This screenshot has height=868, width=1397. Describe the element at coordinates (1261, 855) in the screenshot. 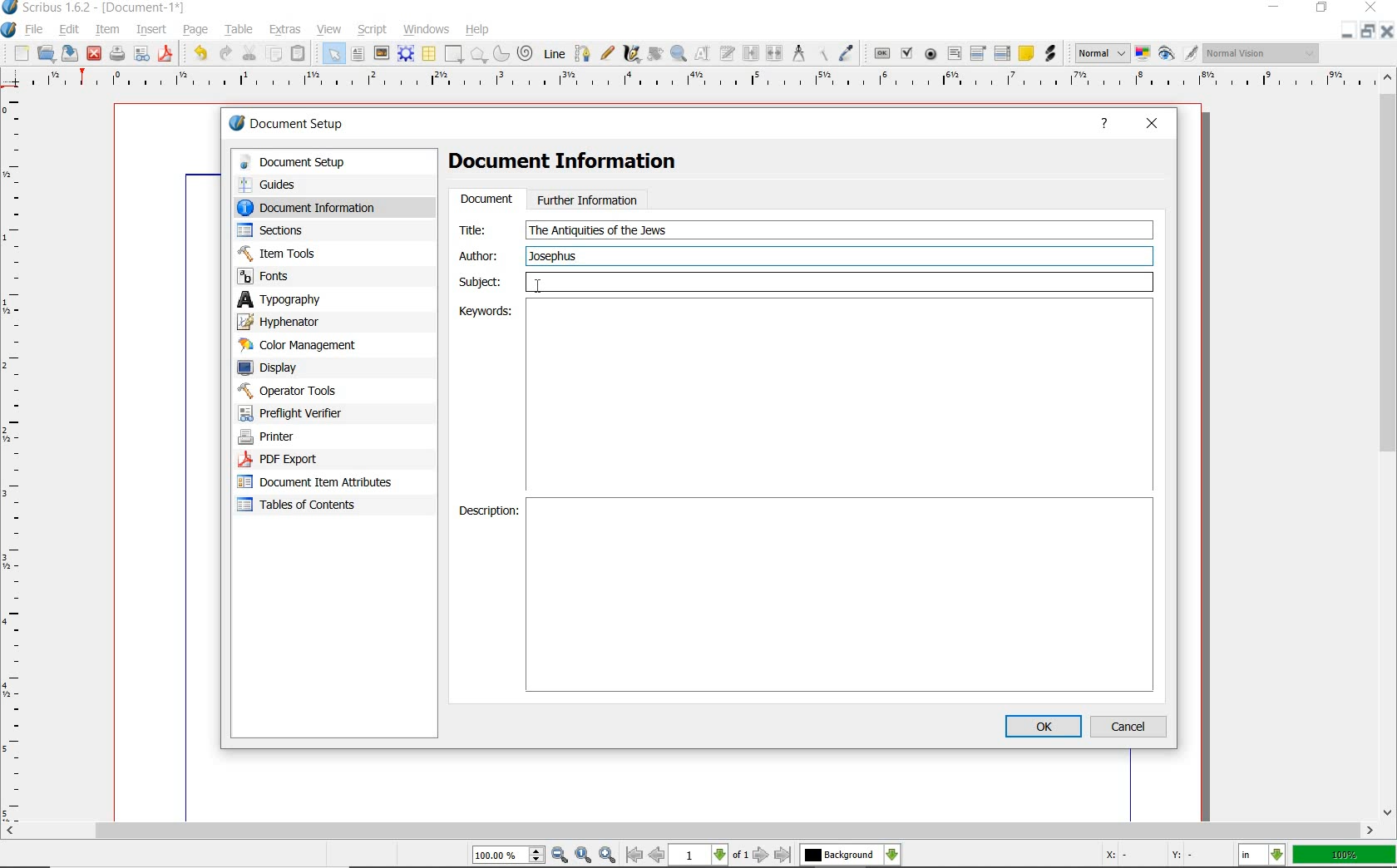

I see `select the current unit` at that location.